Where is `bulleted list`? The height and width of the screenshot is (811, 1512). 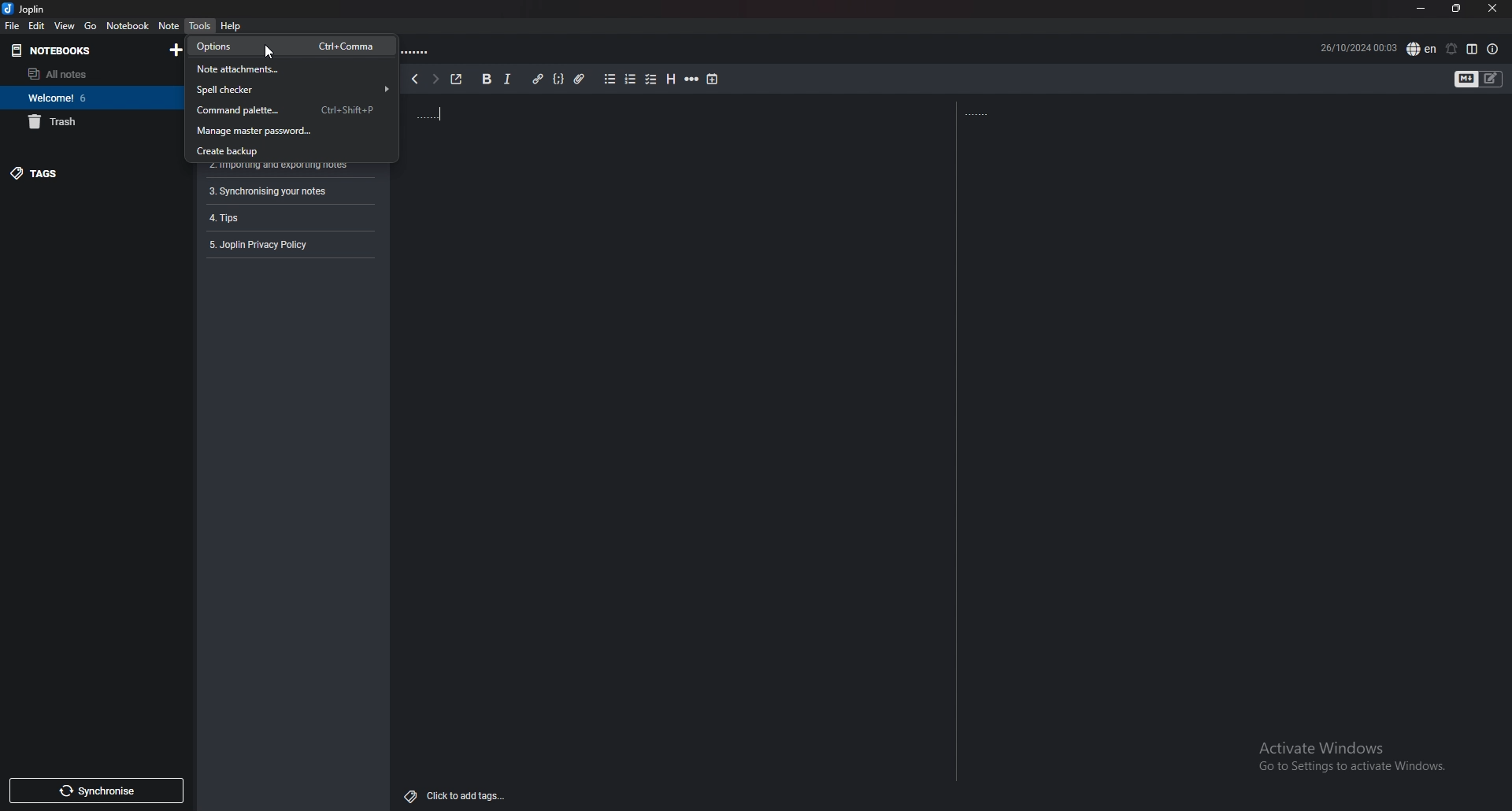
bulleted list is located at coordinates (611, 79).